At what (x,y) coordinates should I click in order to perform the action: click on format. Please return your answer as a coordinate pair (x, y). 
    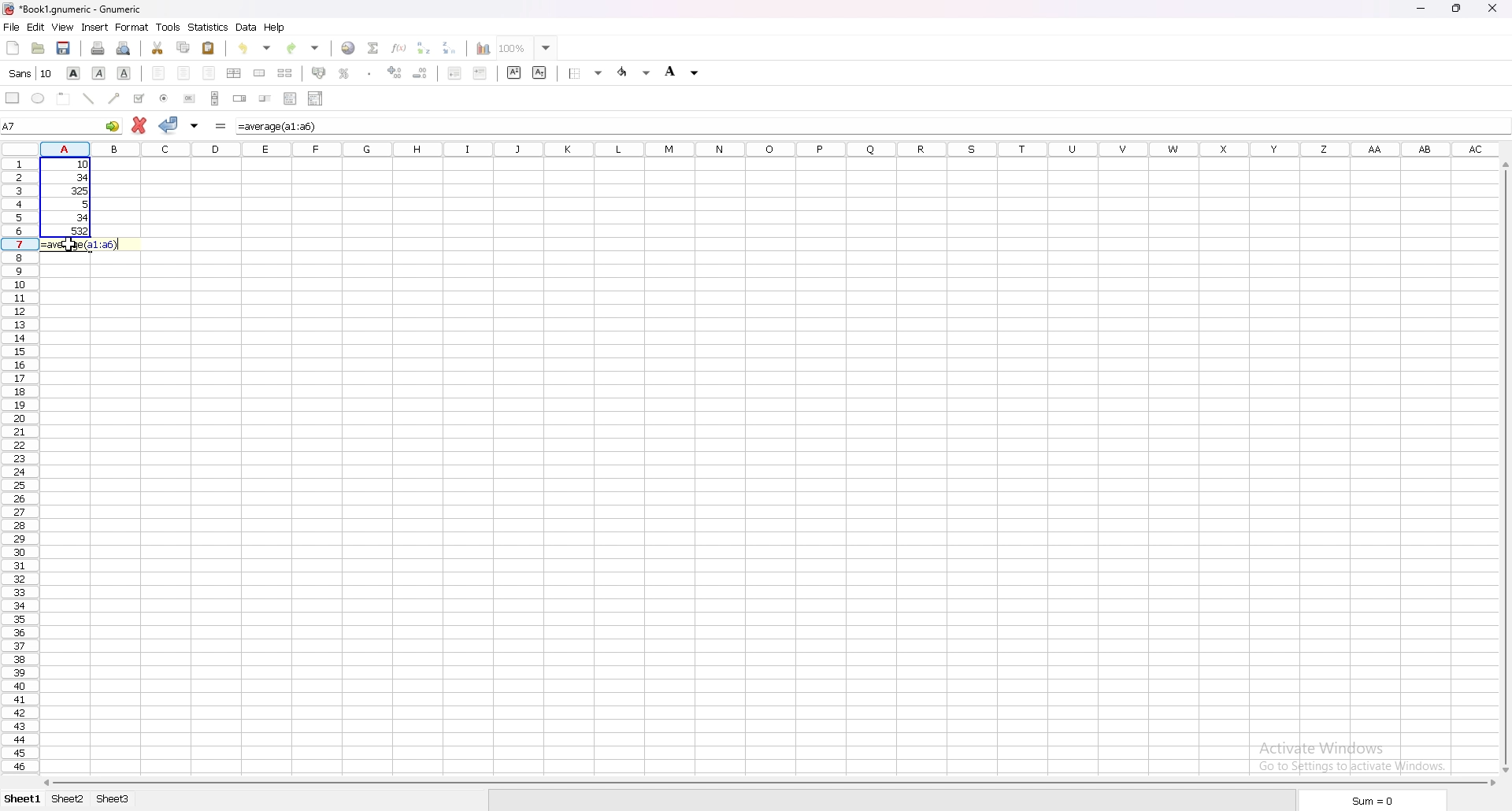
    Looking at the image, I should click on (133, 27).